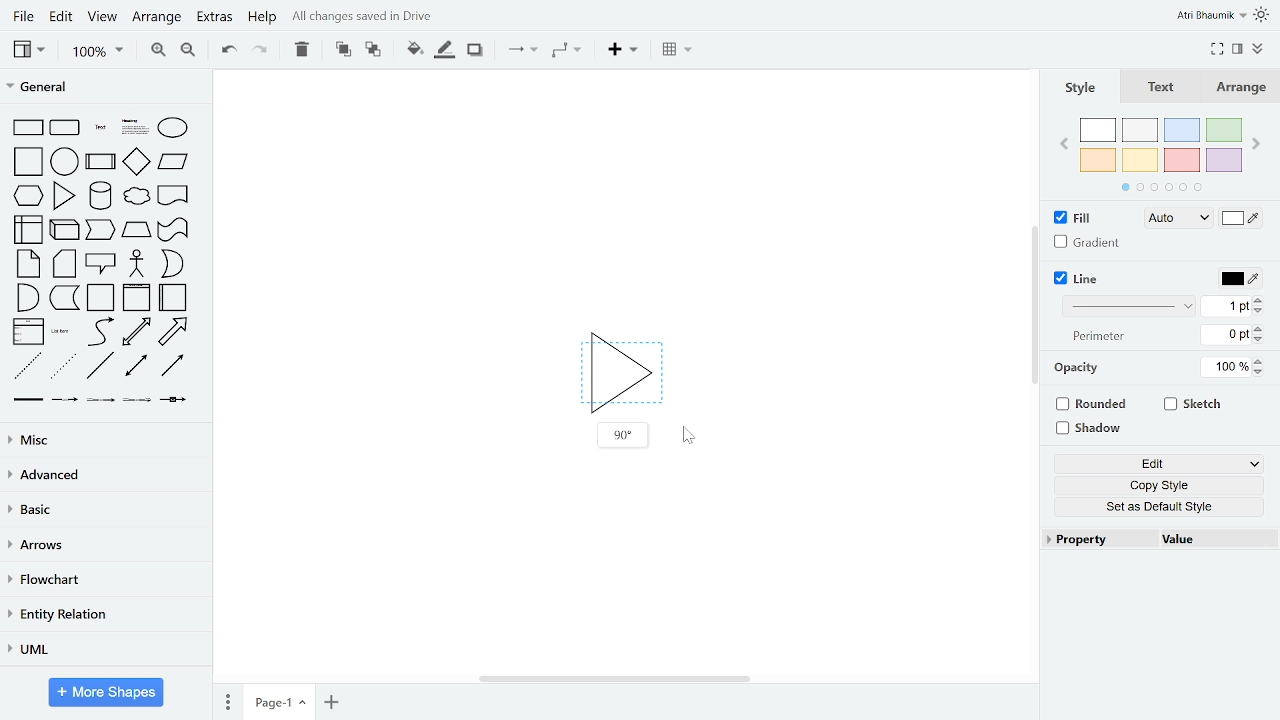 Image resolution: width=1280 pixels, height=720 pixels. What do you see at coordinates (1226, 129) in the screenshot?
I see `green` at bounding box center [1226, 129].